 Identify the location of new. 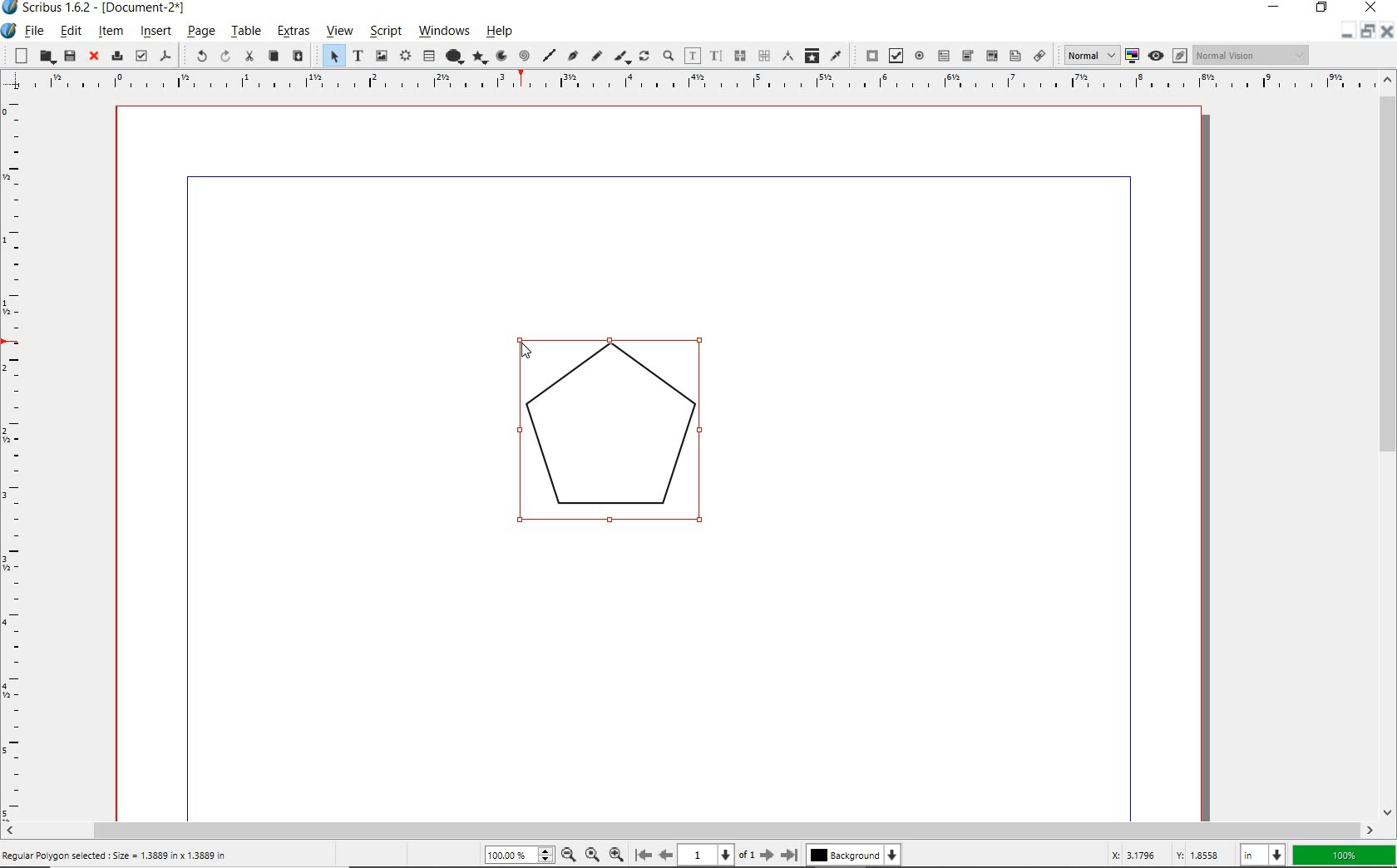
(17, 56).